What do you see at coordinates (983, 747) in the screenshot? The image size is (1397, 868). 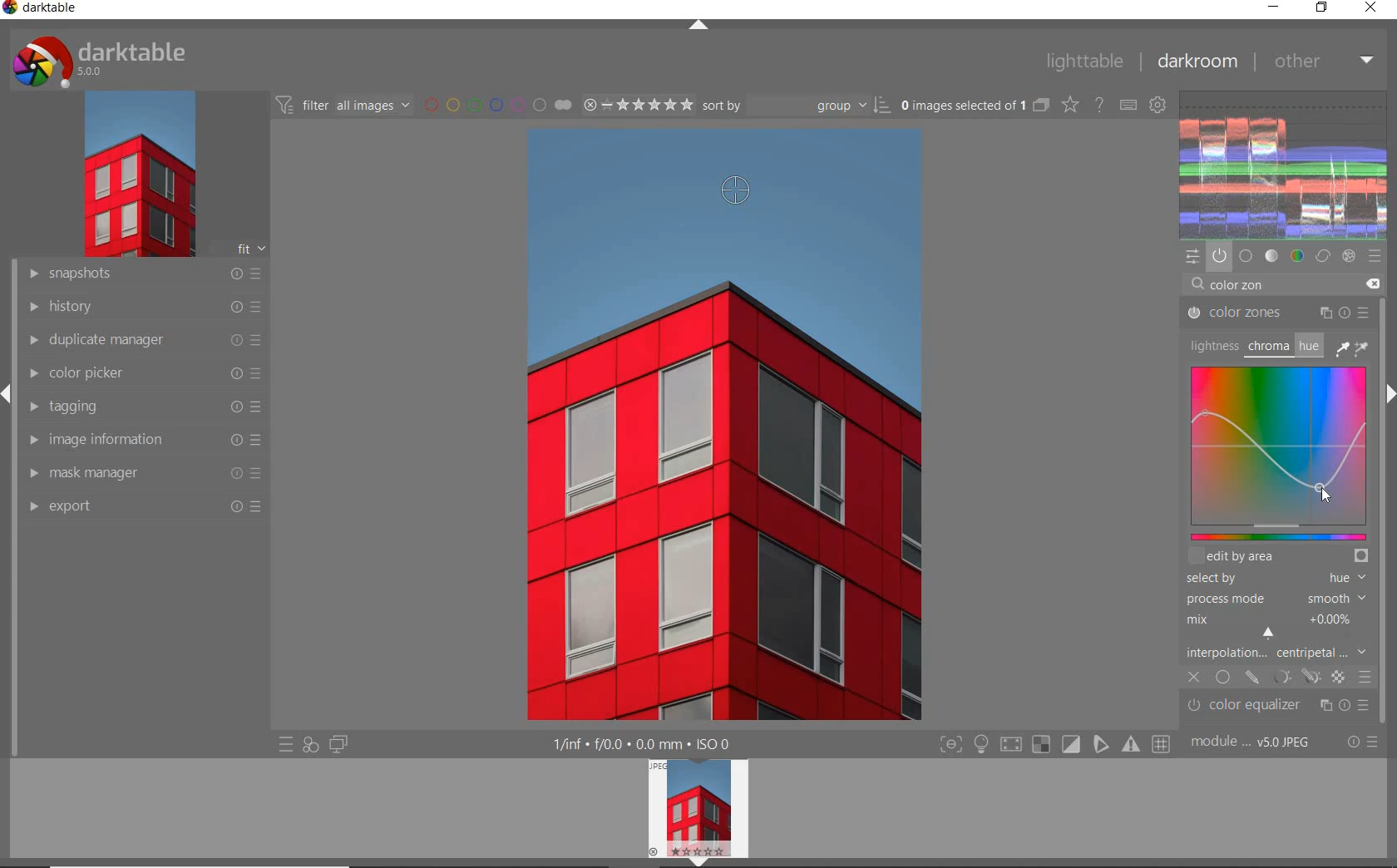 I see `highlight` at bounding box center [983, 747].